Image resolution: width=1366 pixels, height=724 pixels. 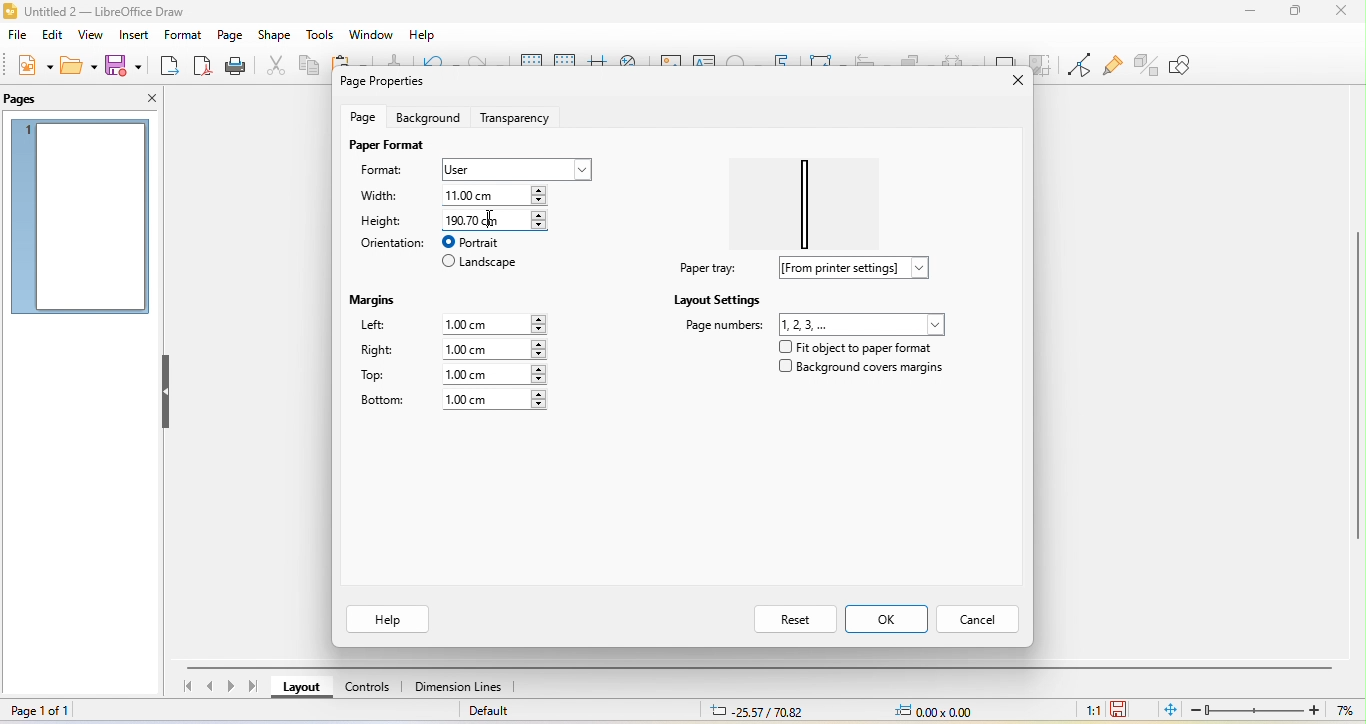 I want to click on default, so click(x=501, y=713).